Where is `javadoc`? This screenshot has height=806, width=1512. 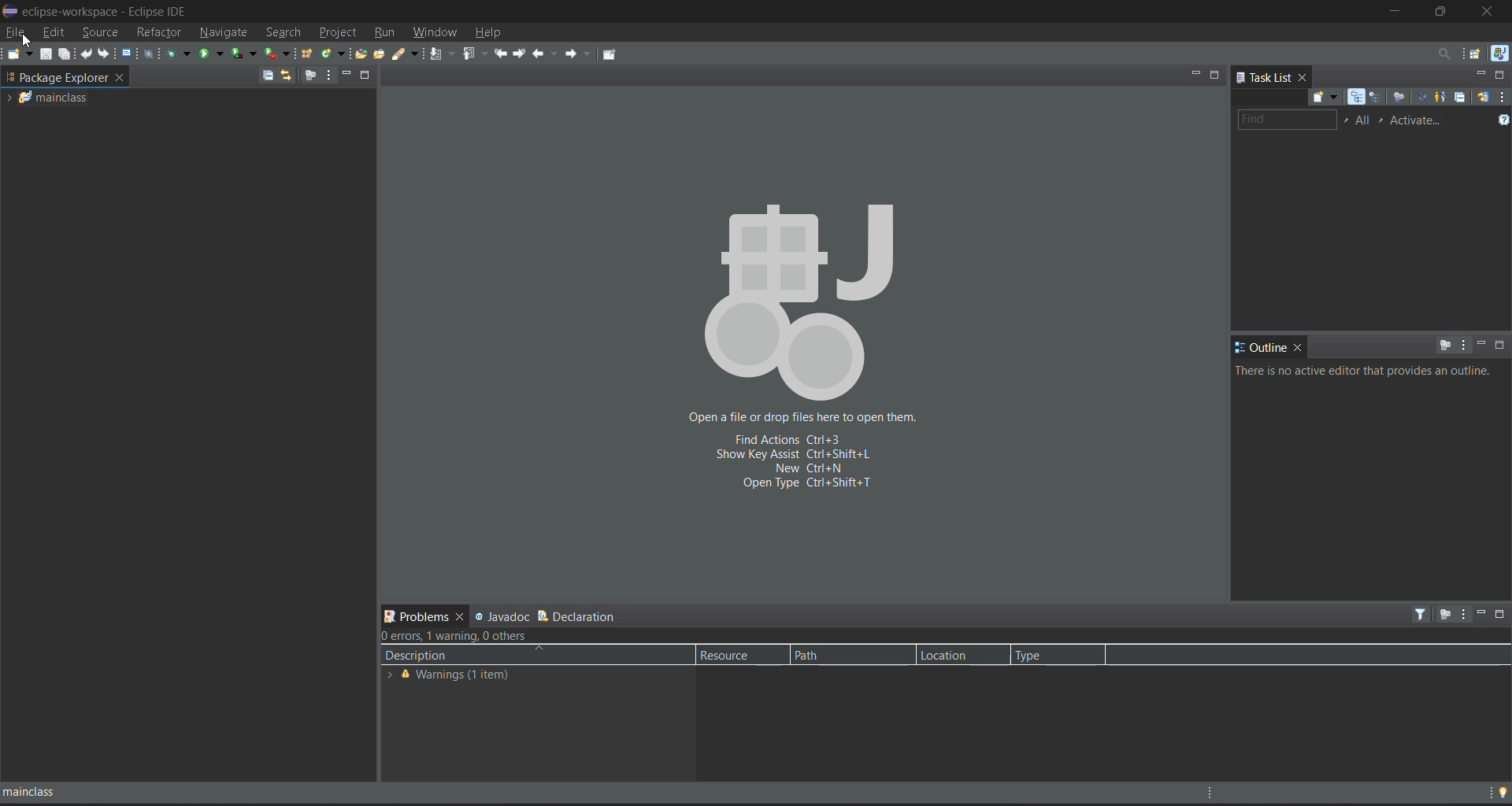 javadoc is located at coordinates (504, 616).